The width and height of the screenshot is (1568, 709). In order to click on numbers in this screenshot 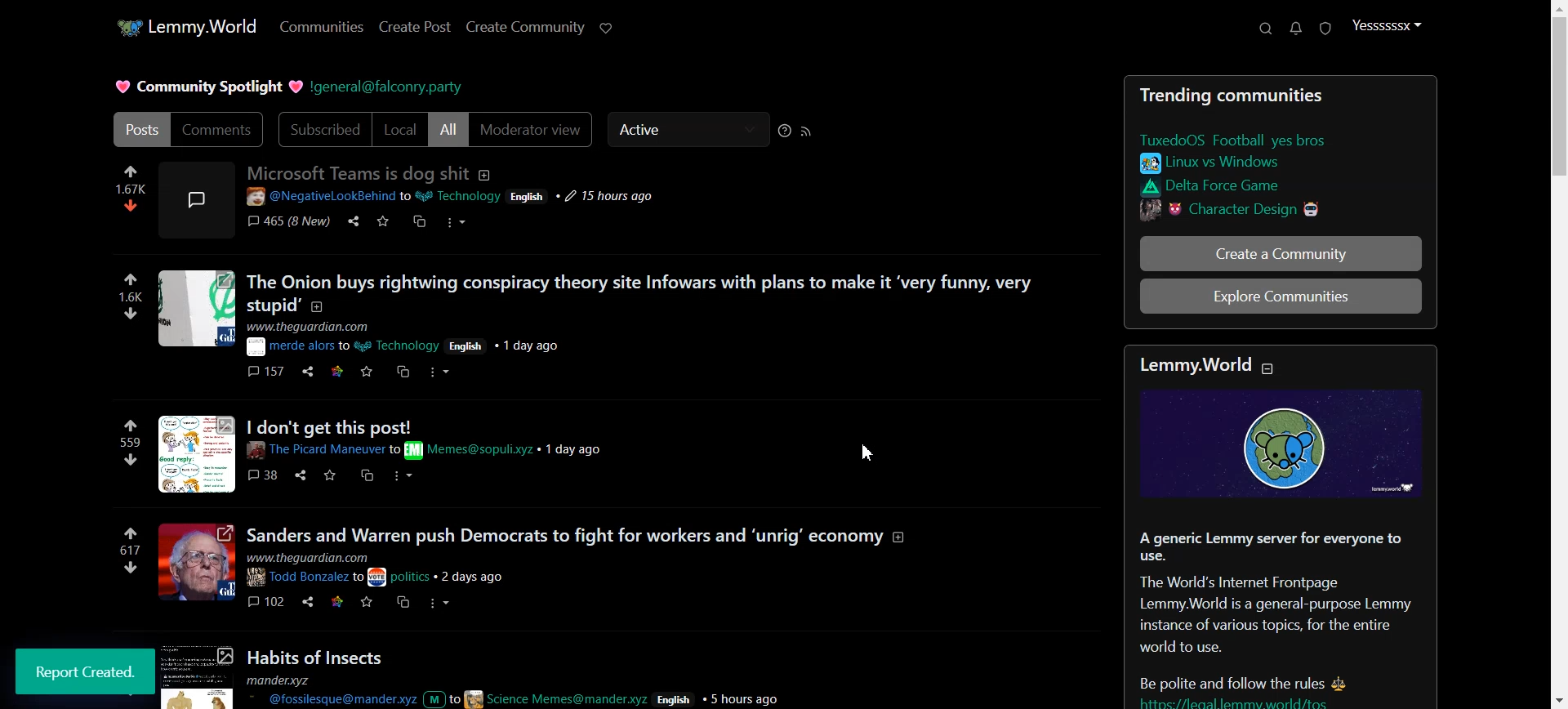, I will do `click(131, 442)`.